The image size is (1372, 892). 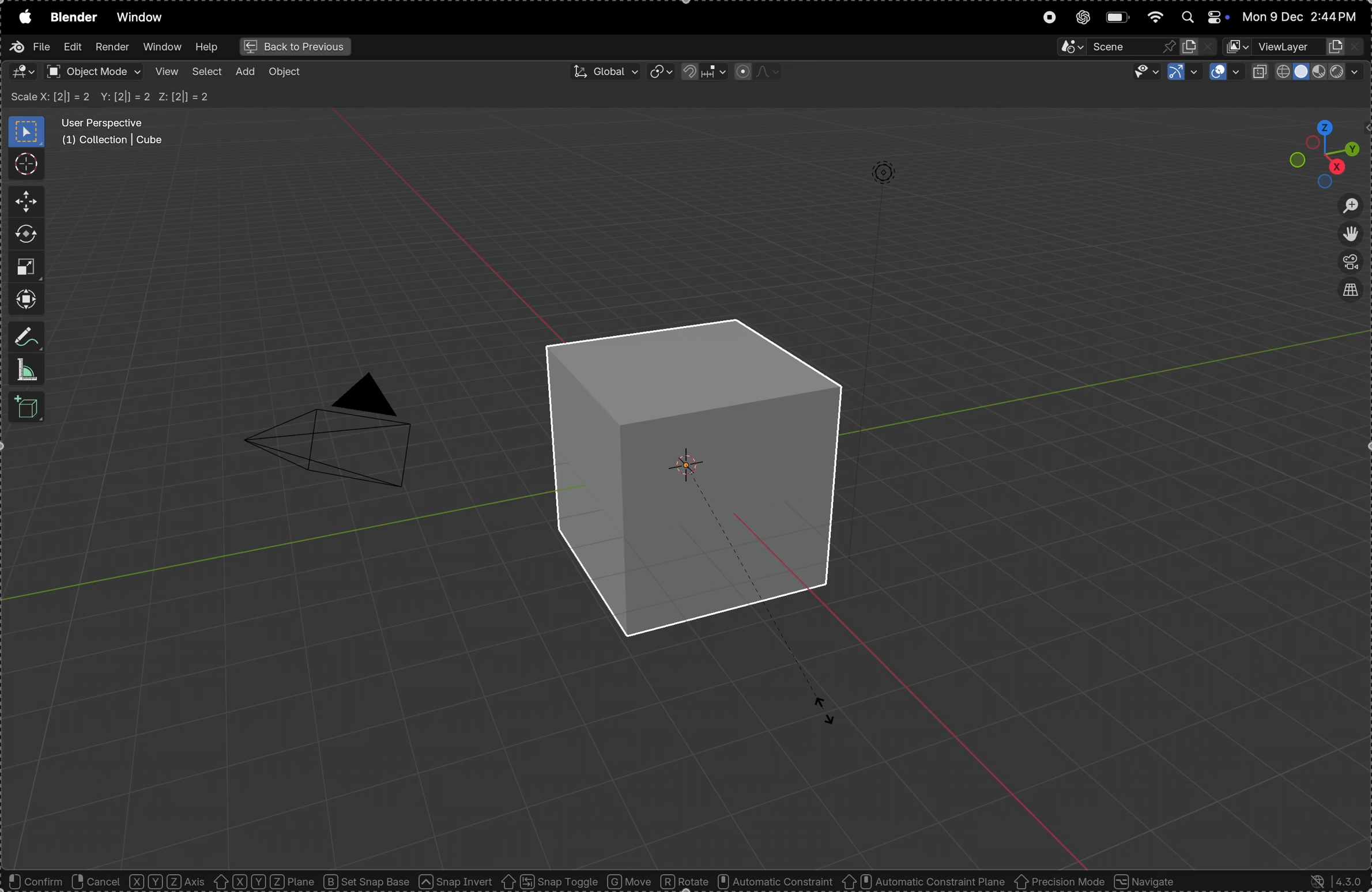 I want to click on show gimzo, so click(x=1182, y=71).